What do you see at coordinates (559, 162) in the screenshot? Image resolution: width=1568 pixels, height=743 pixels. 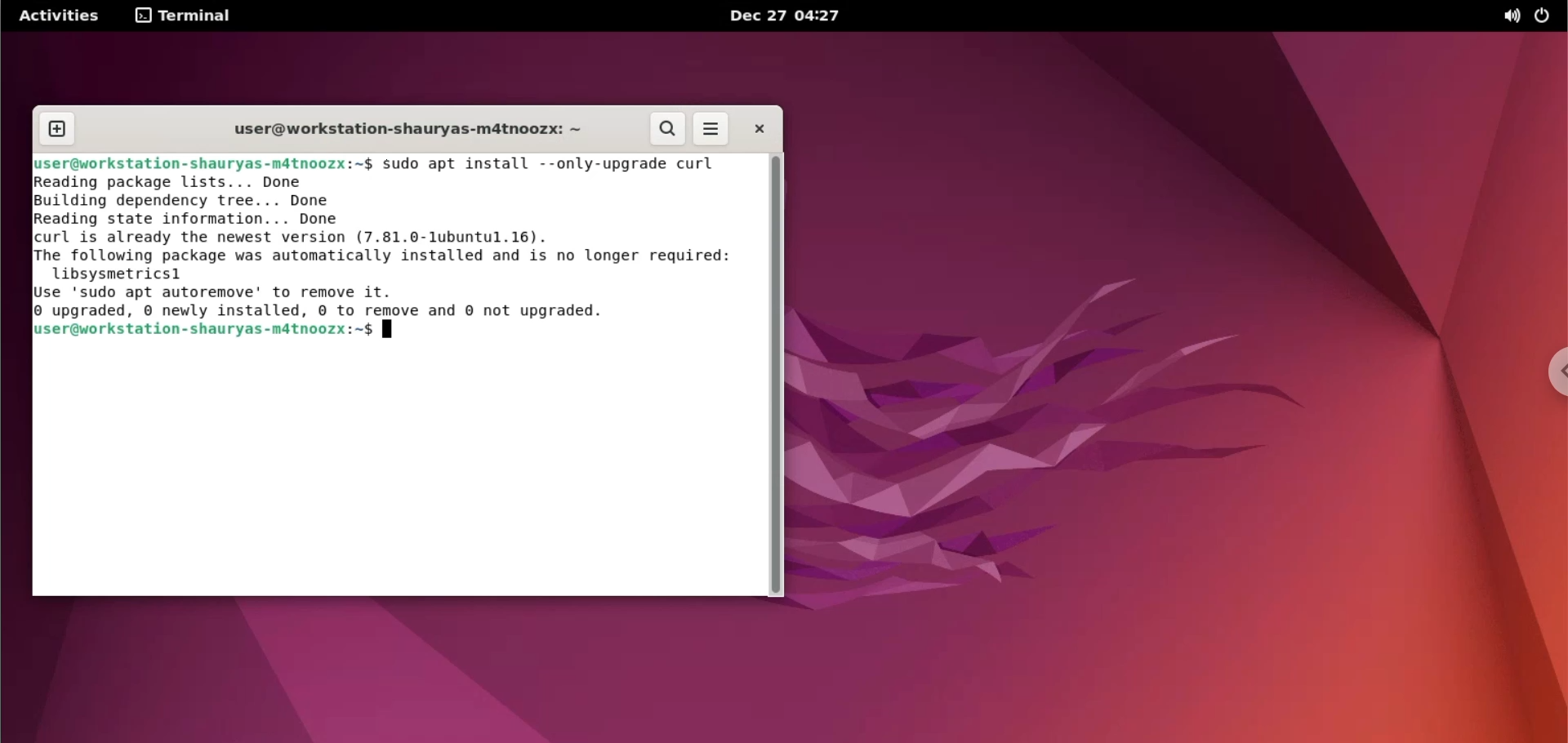 I see `sudo apt install --only-upgrade curl` at bounding box center [559, 162].